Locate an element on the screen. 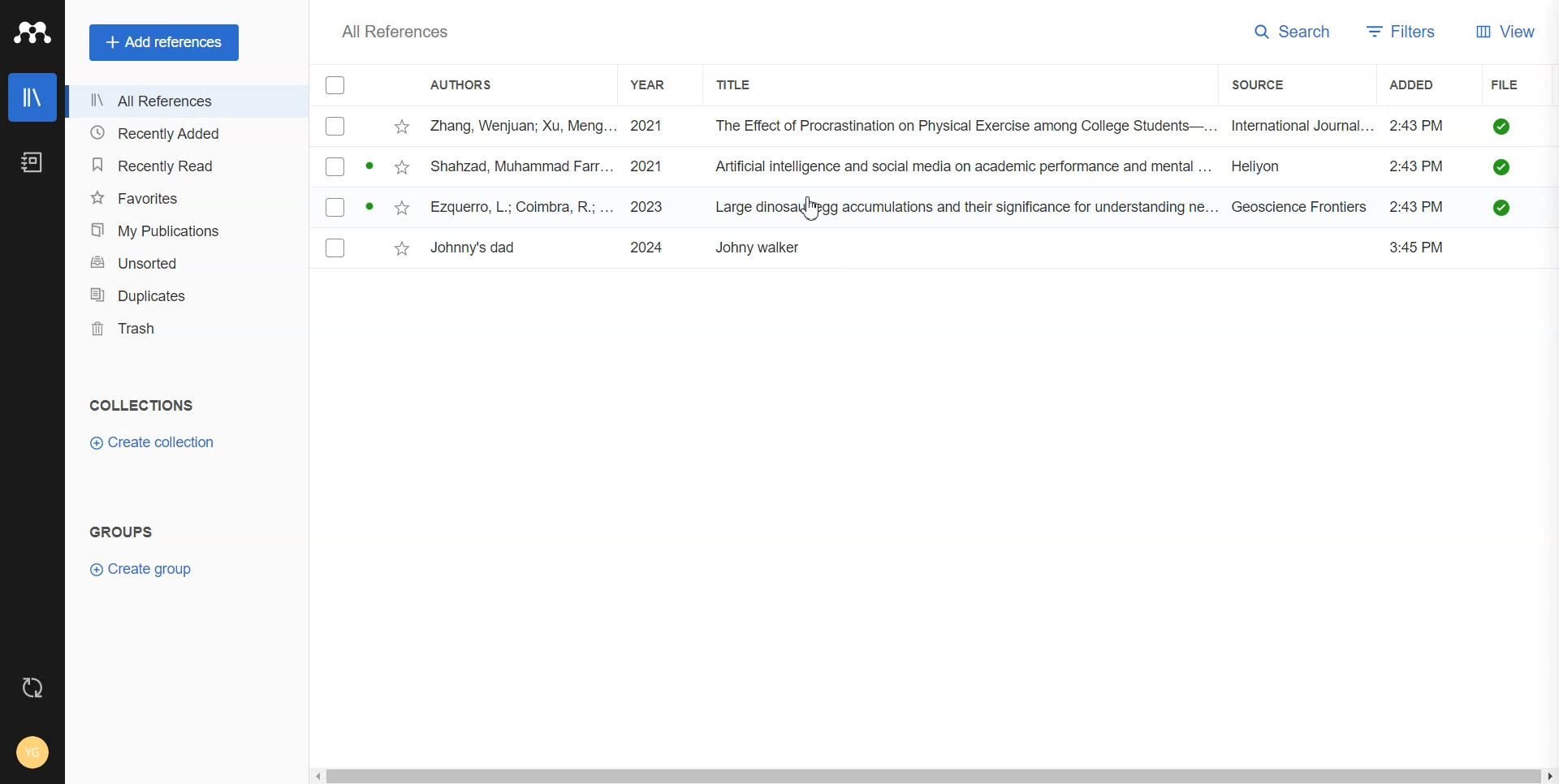  Add references is located at coordinates (165, 43).